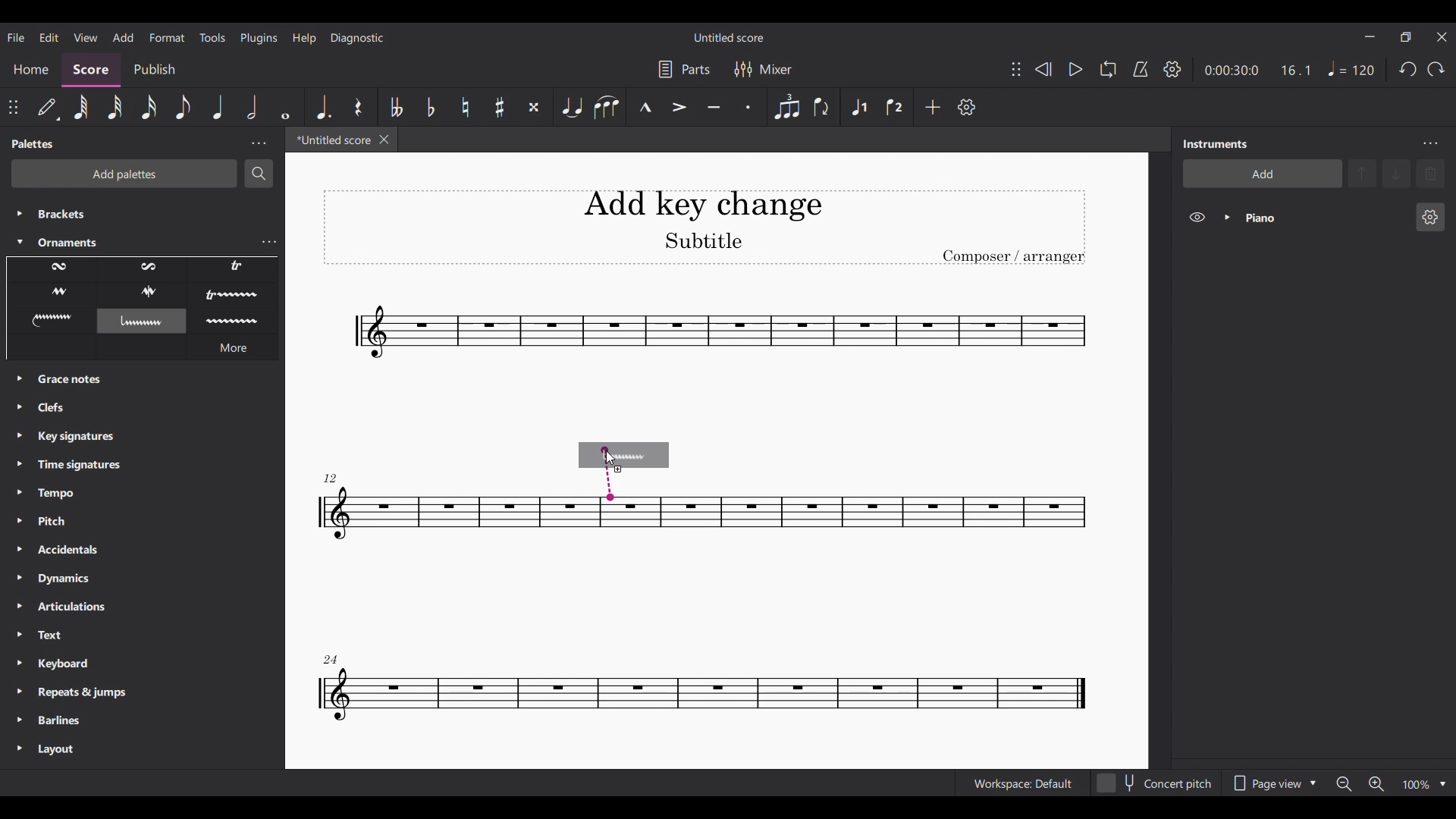  I want to click on Tie, so click(571, 107).